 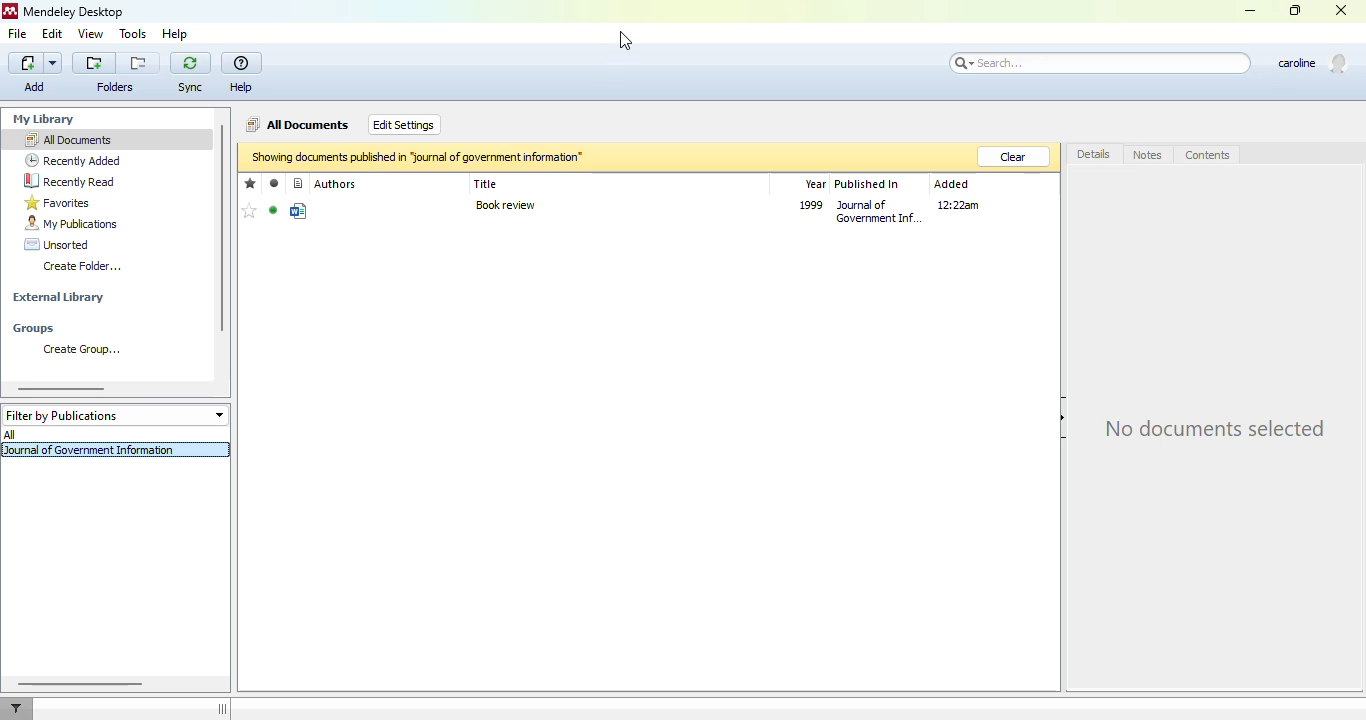 What do you see at coordinates (82, 683) in the screenshot?
I see `horizontal scroll bar` at bounding box center [82, 683].